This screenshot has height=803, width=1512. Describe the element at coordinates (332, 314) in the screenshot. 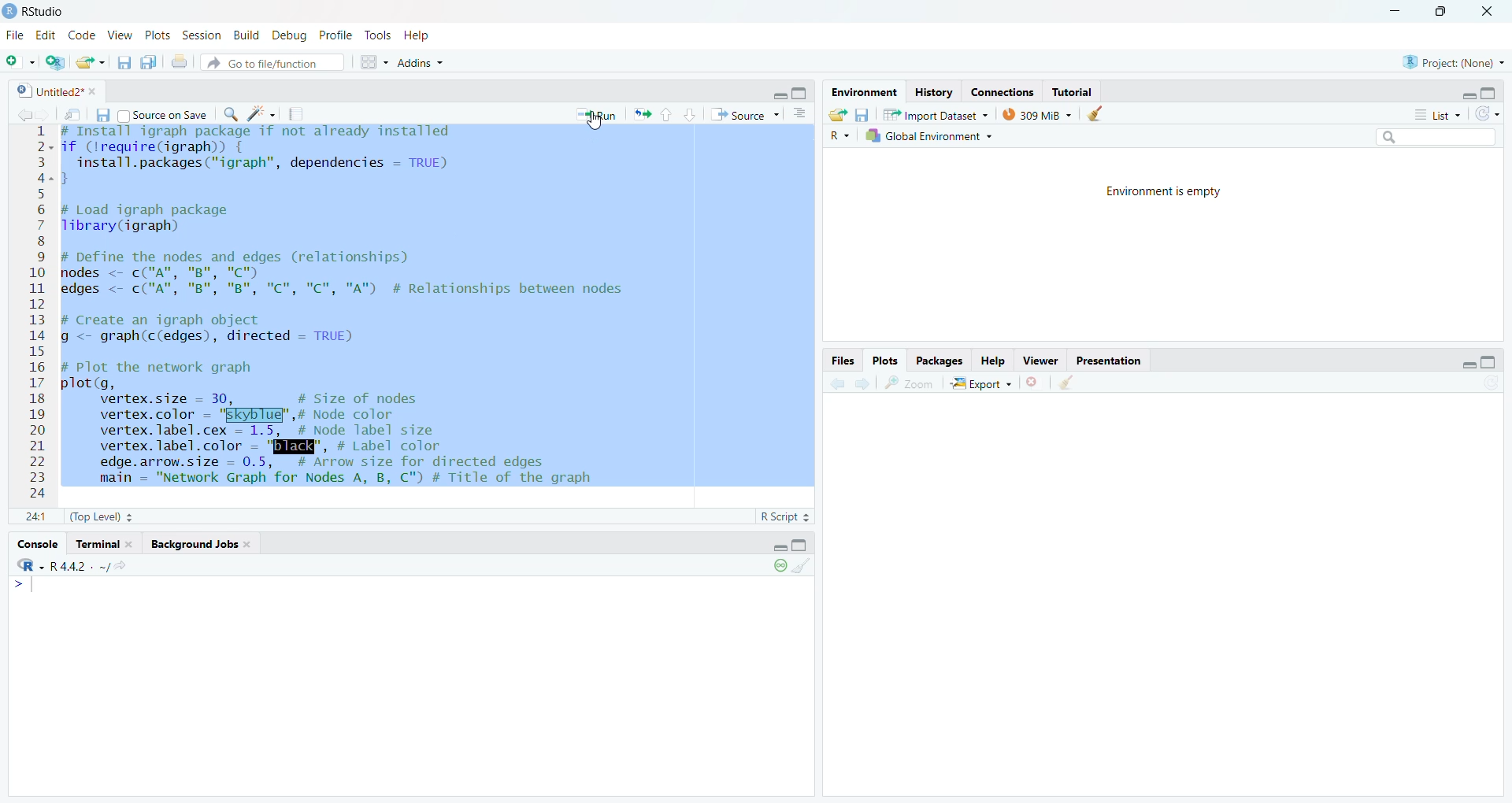

I see `1 # Install igraph package if not already installed

2+ if (lrequireCigraph)) {

3 install.packages("igraph", dependencies = TRUE)

4-3

5

6 # Load igraph package

7 Tibrary(igraph) I

8

9 # Define the nodes and edges (relationships)

10 nodes <- c("A", "B", "C")

11 edges <- c("A", "B", "B", "C", "C", "A") # Relationships between nodes
12

13 # Create an igraph object

14 g <- graph(c(edges), directed = TRUE)

15

16 # Plot the network graph

17 plot(g,

18 vertex.size = 30, # Size of nodes

19 vertex.color = "EKyBIUE",# Node color

20 vertex. label.cex = 1.5, # Node label size

21 vertex. label.color - "BJENER", # Label color

22 edge.arrow.size = 0.5, # Arrow size for directed edges
23 main = "Network Graph for Nodes A, B, C") # Title of the graph
24` at that location.